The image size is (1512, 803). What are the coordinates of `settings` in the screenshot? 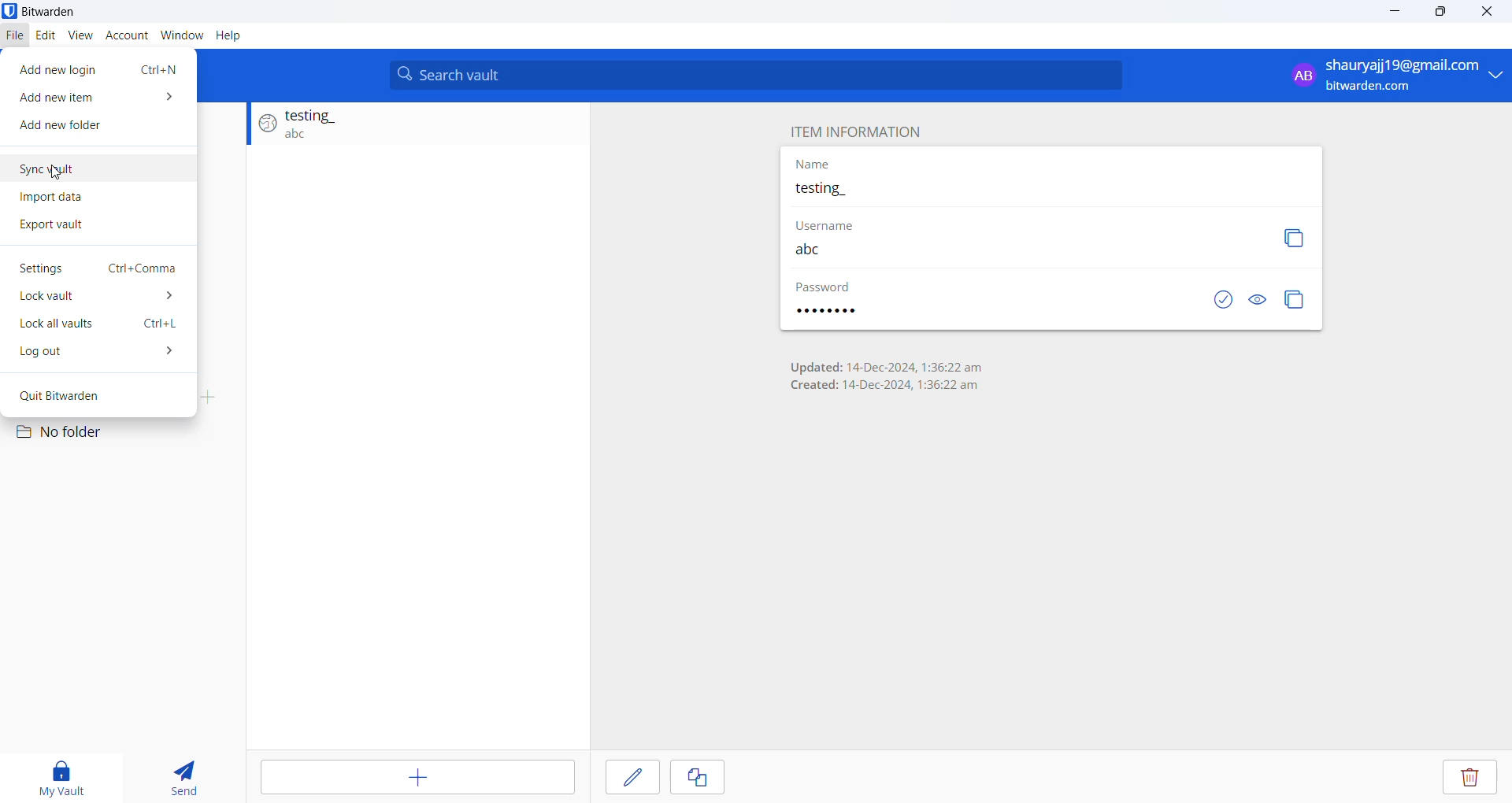 It's located at (98, 270).